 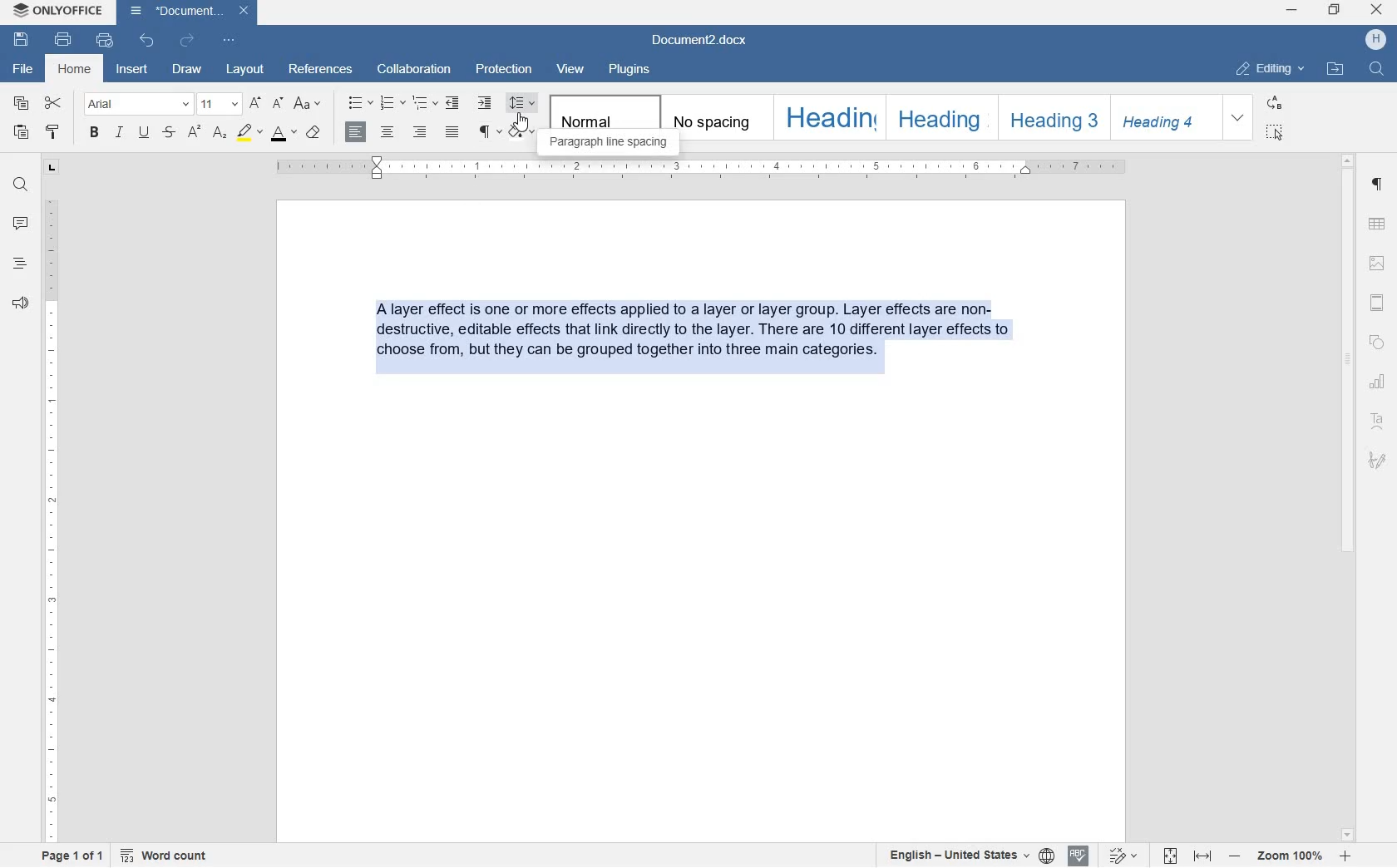 I want to click on page 1 of 1, so click(x=74, y=856).